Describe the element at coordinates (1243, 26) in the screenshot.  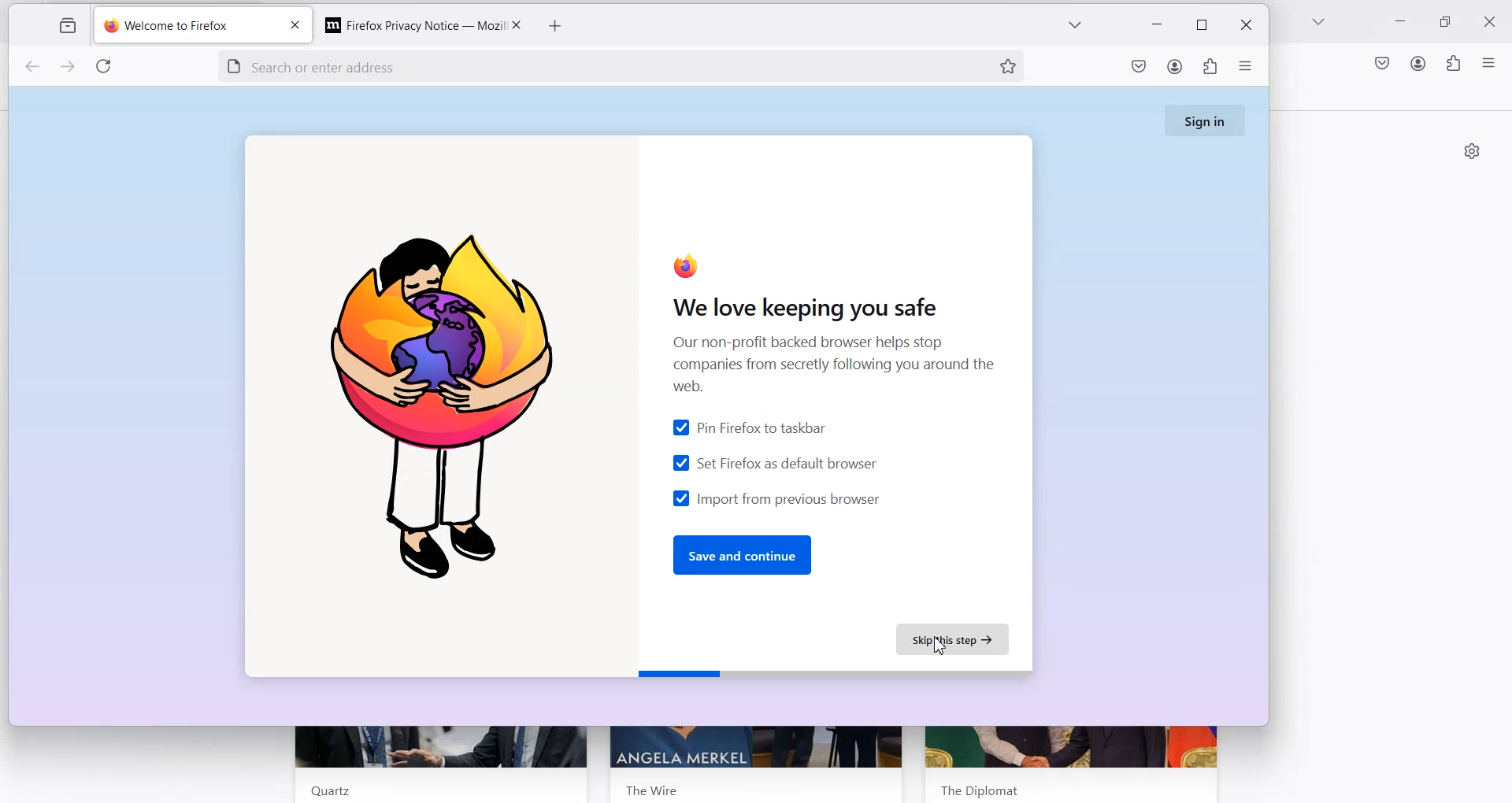
I see `close` at that location.